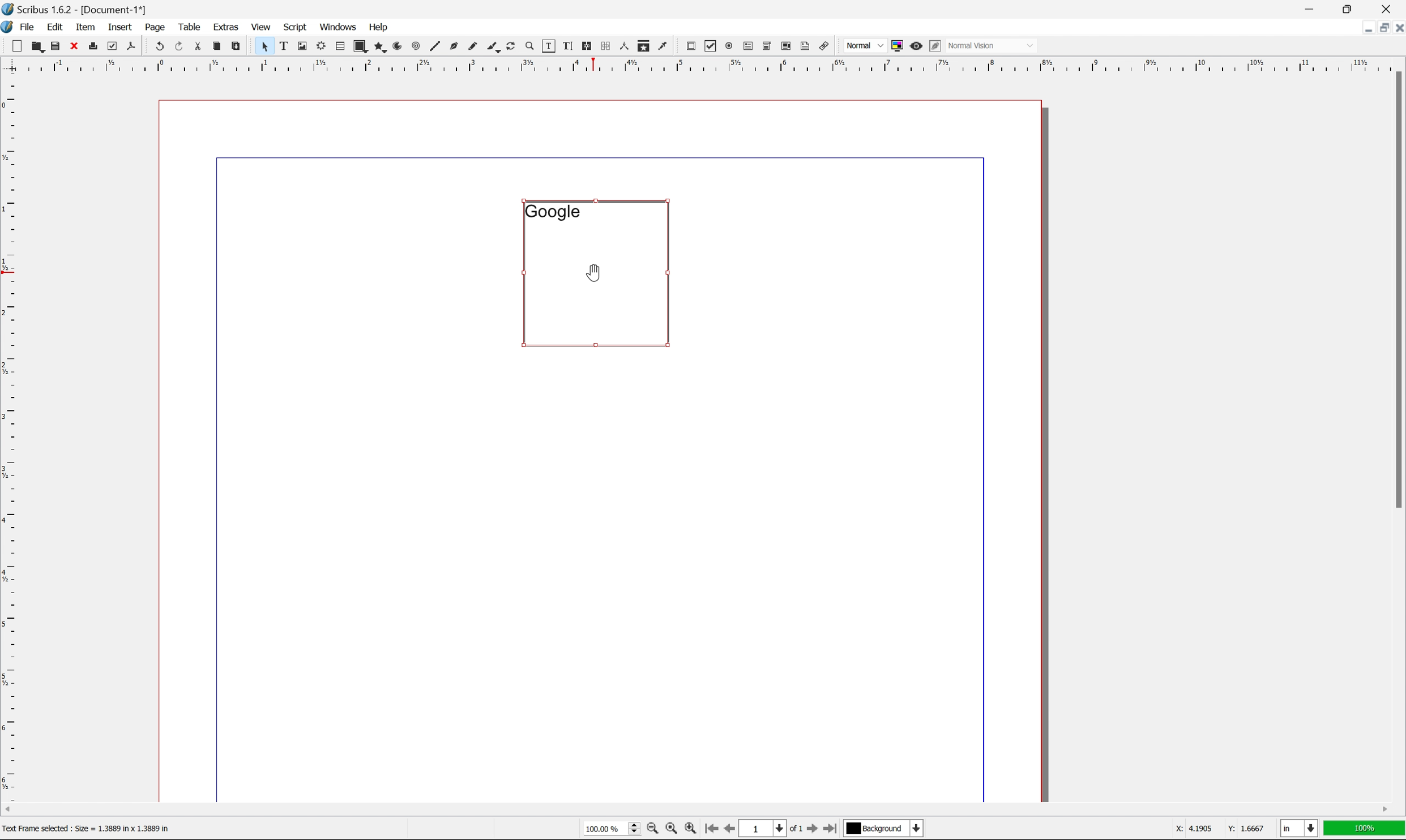 This screenshot has height=840, width=1406. What do you see at coordinates (726, 46) in the screenshot?
I see `pdf radio button` at bounding box center [726, 46].